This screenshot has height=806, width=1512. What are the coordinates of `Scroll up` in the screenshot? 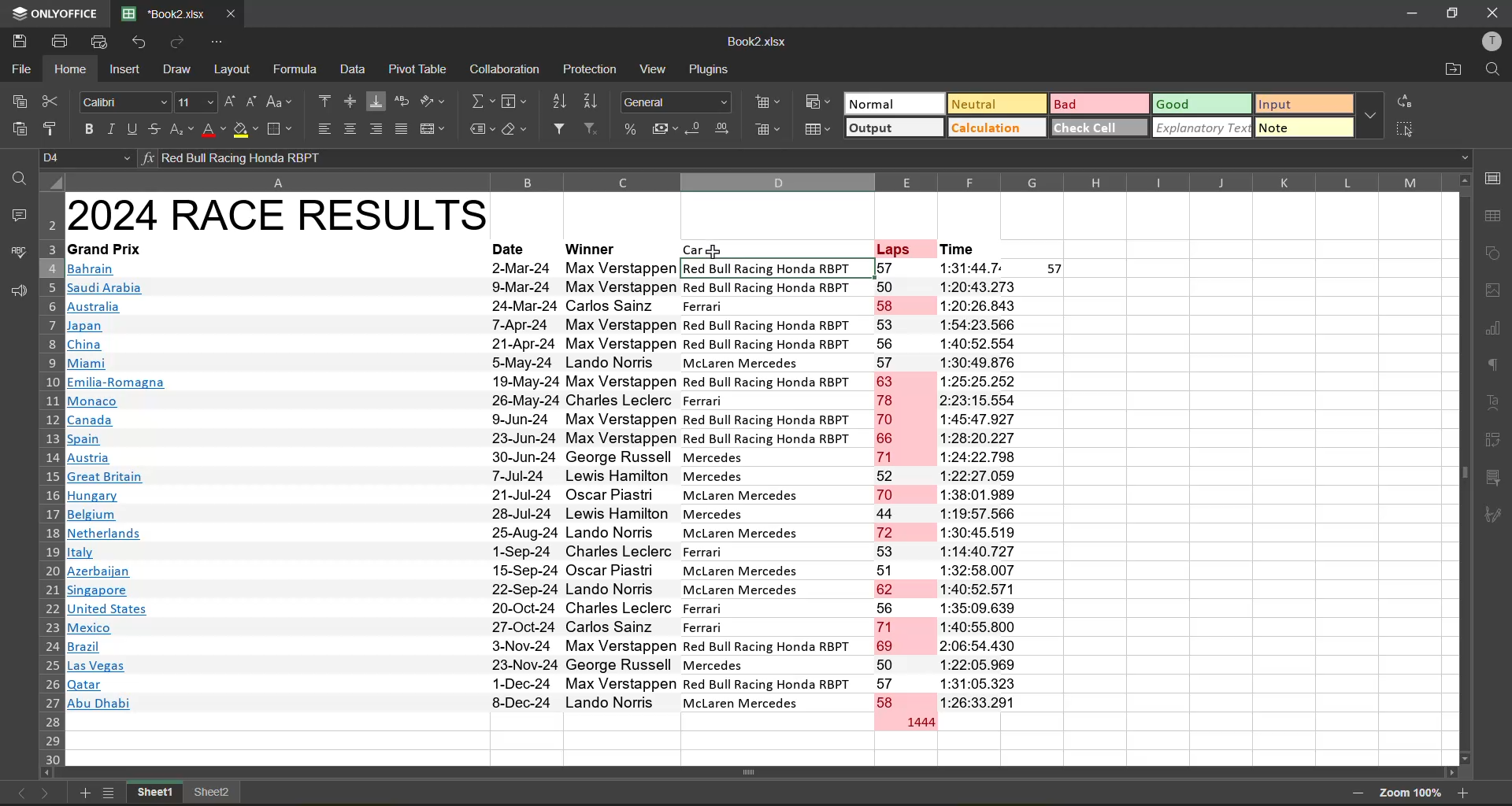 It's located at (1462, 179).